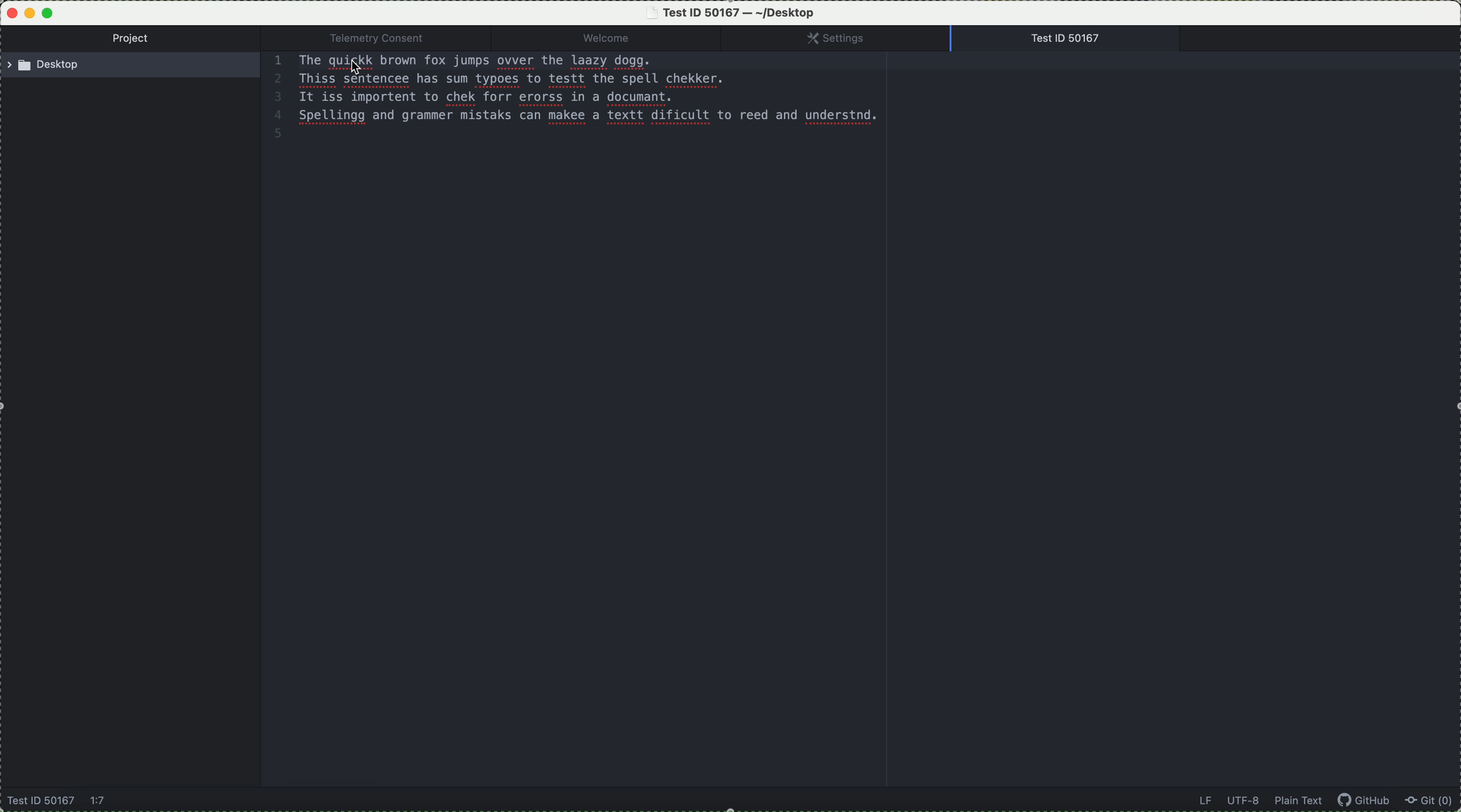  What do you see at coordinates (734, 12) in the screenshot?
I see `file name` at bounding box center [734, 12].